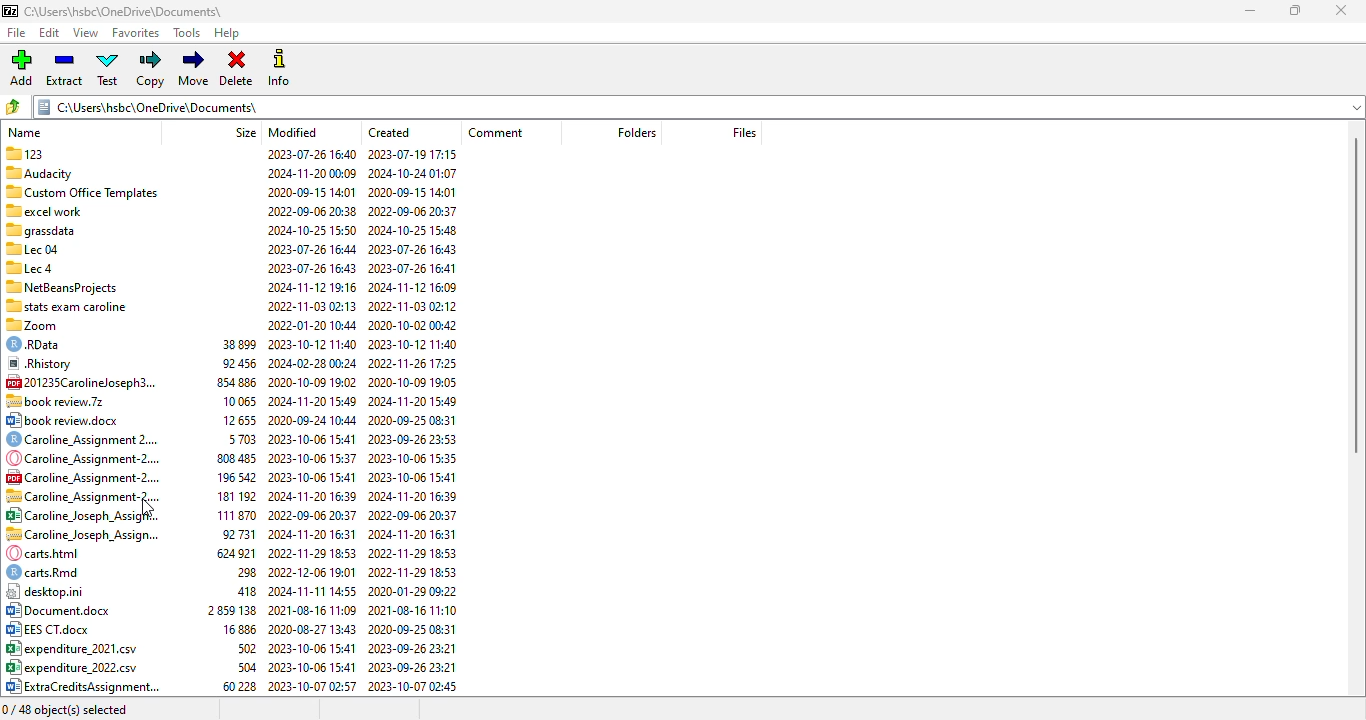 This screenshot has height=720, width=1366. What do you see at coordinates (230, 420) in the screenshot?
I see `© book review.doox 12655 2020-09-24 10:44 2020-09-25 08:31` at bounding box center [230, 420].